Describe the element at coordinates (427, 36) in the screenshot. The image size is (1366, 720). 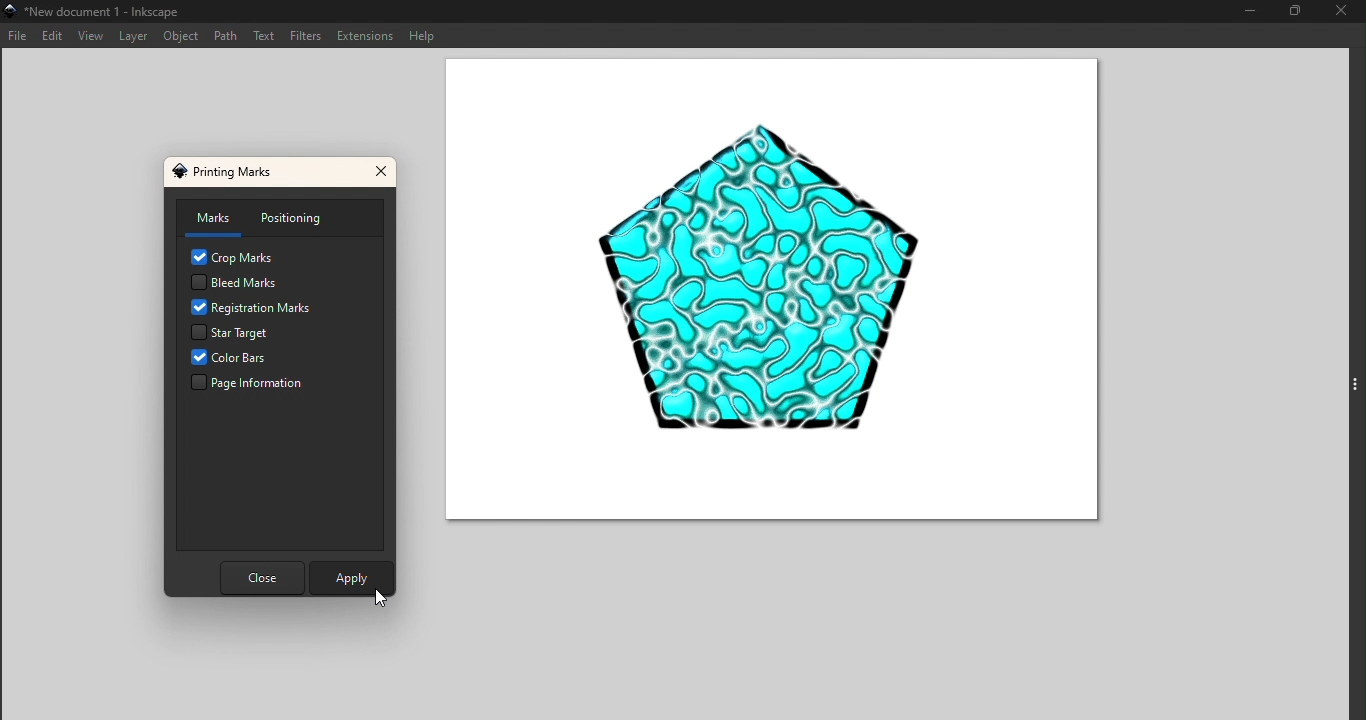
I see `Help` at that location.